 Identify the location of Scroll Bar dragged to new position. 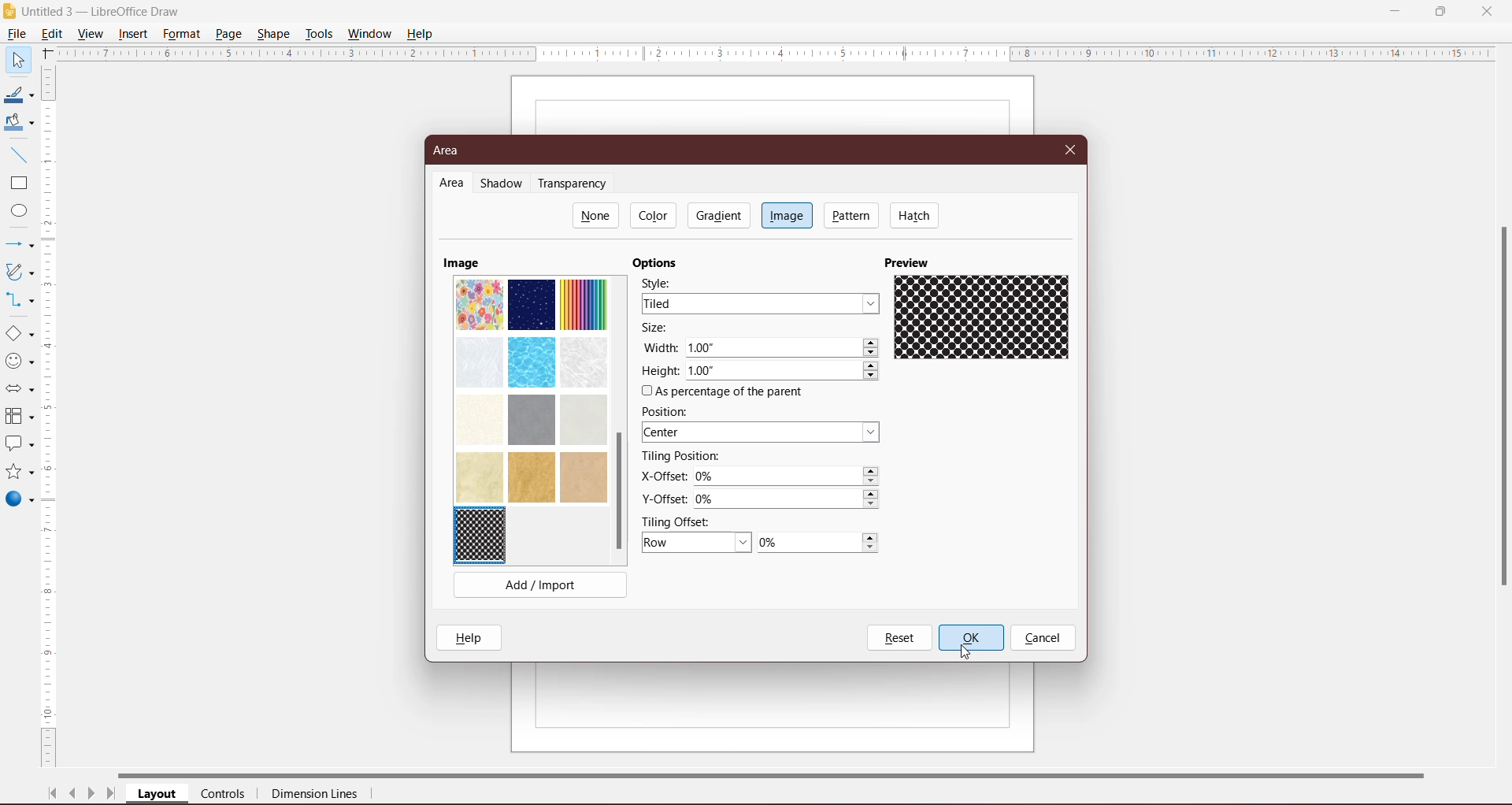
(618, 492).